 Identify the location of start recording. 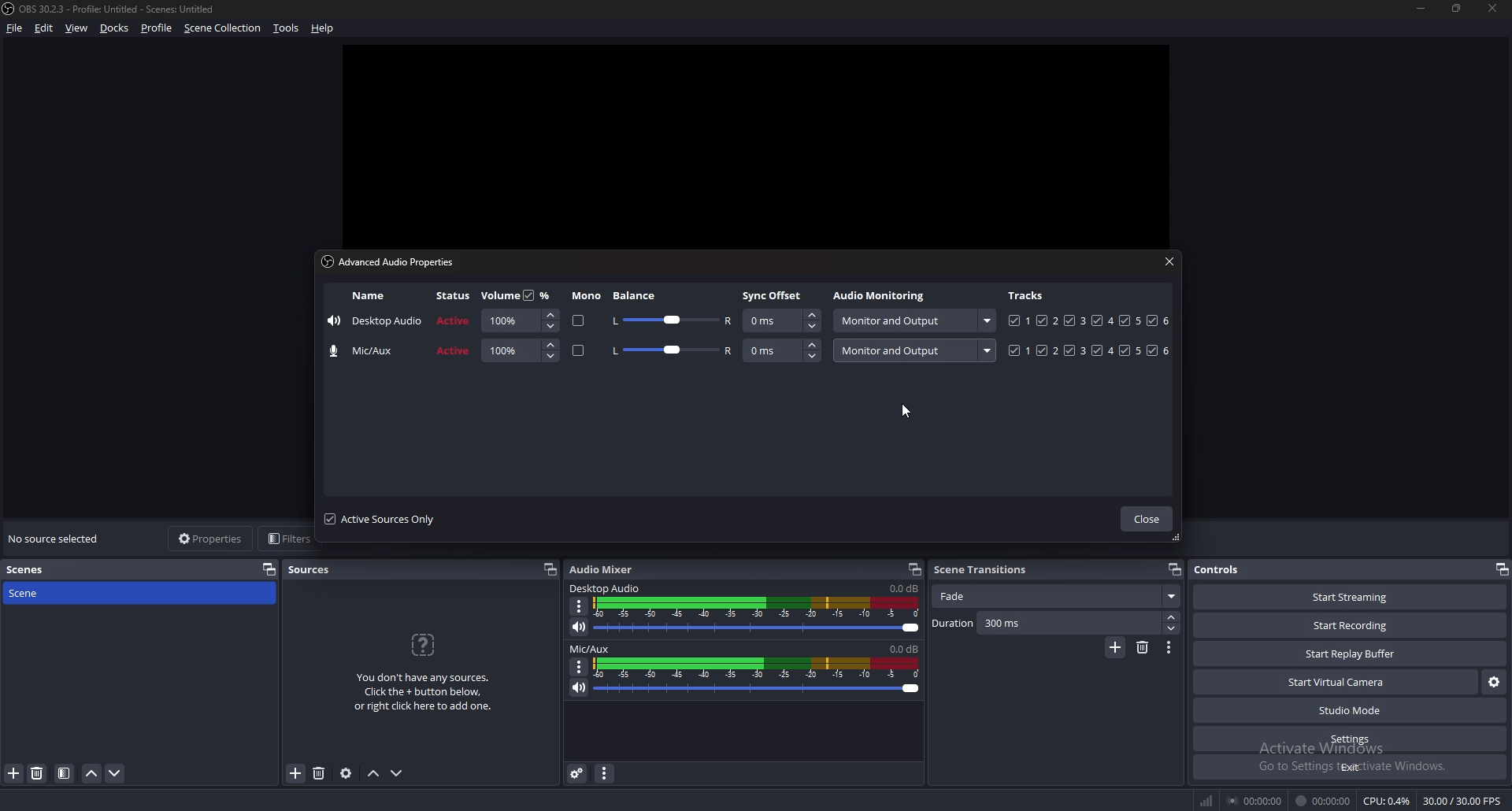
(1352, 624).